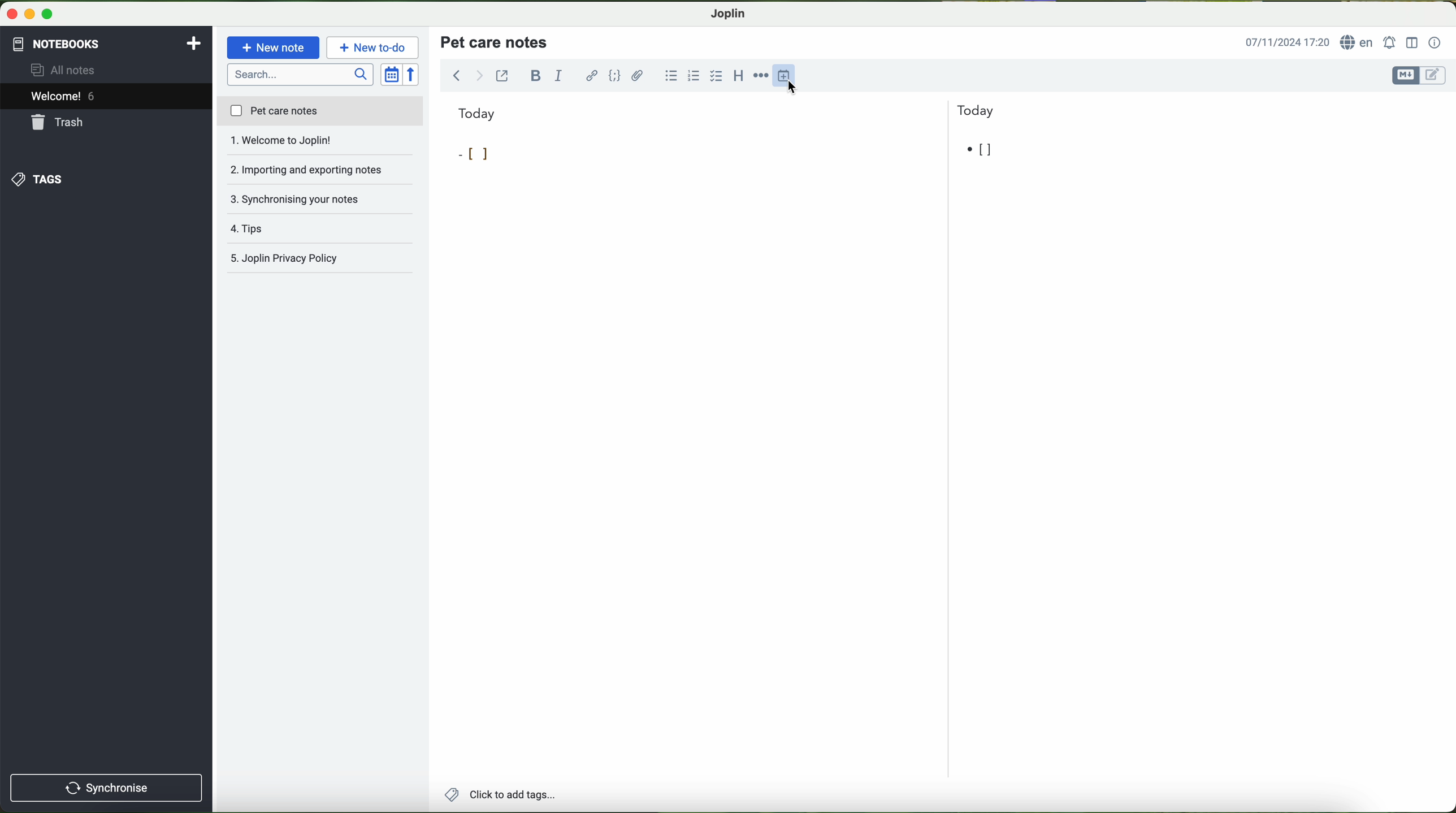  What do you see at coordinates (669, 76) in the screenshot?
I see `bulleted list` at bounding box center [669, 76].